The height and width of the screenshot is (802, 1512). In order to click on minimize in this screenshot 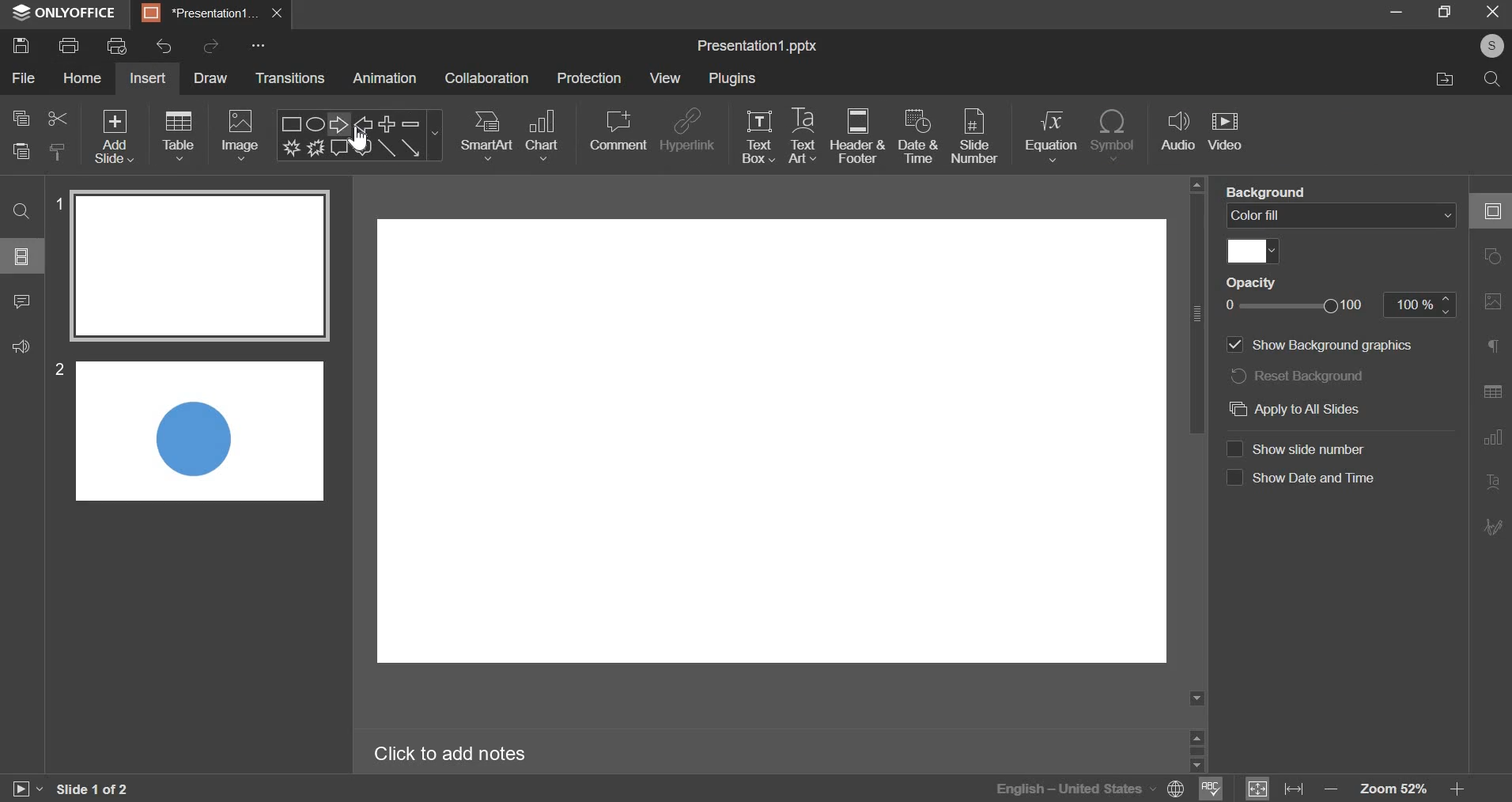, I will do `click(1399, 11)`.